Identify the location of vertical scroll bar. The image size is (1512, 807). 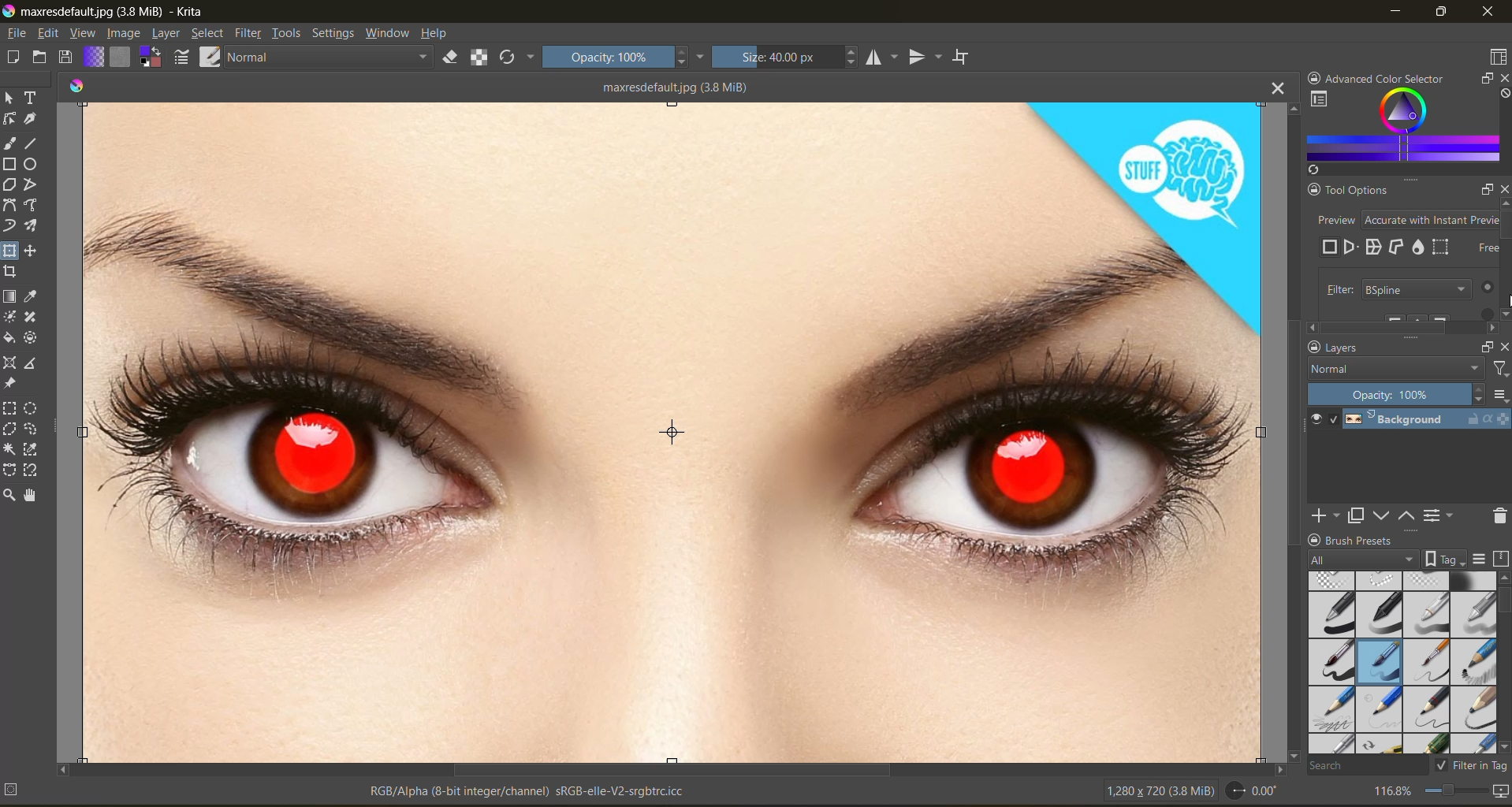
(1503, 613).